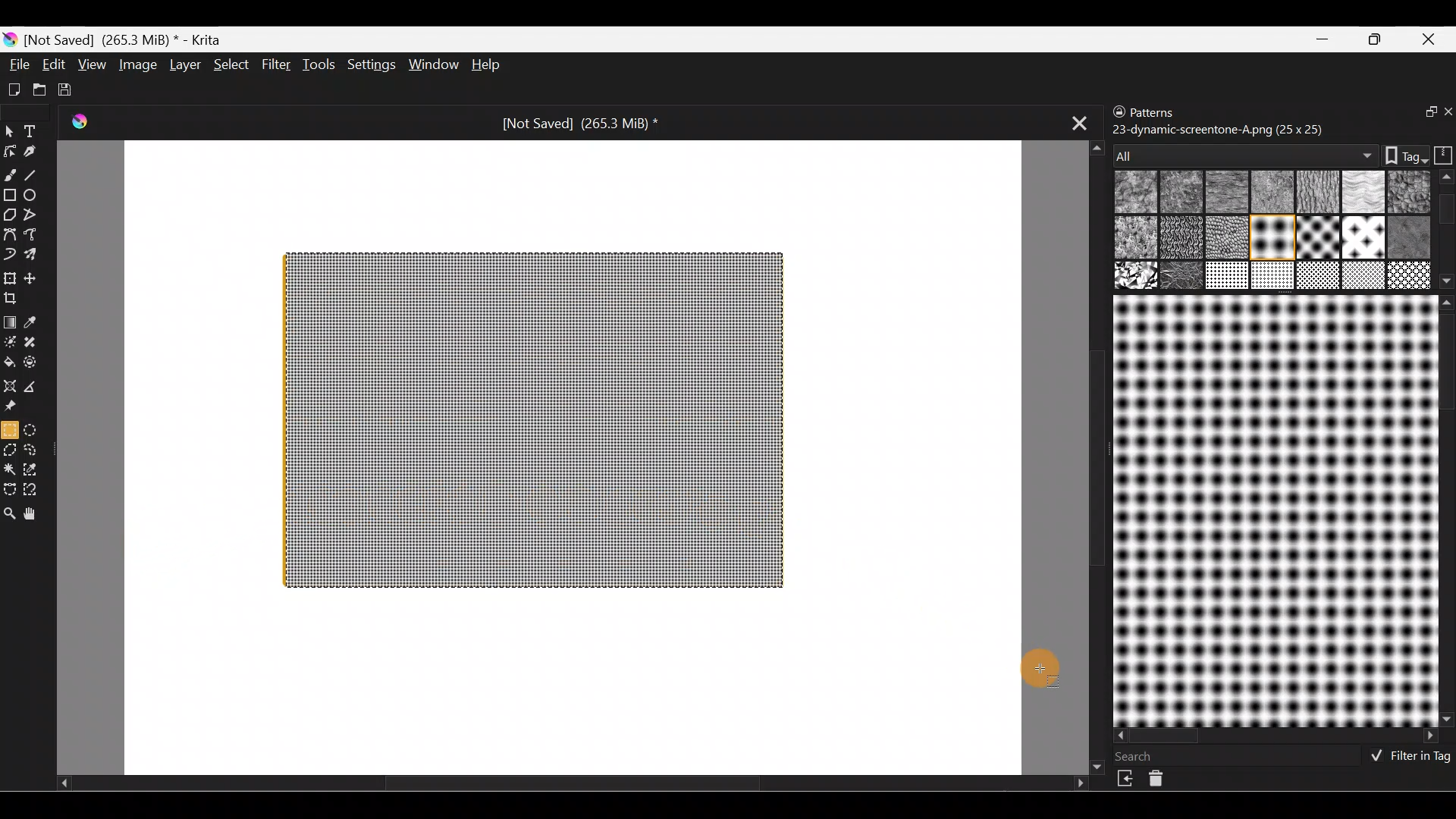 This screenshot has width=1456, height=819. What do you see at coordinates (1409, 191) in the screenshot?
I see `06 Hard-grain.png` at bounding box center [1409, 191].